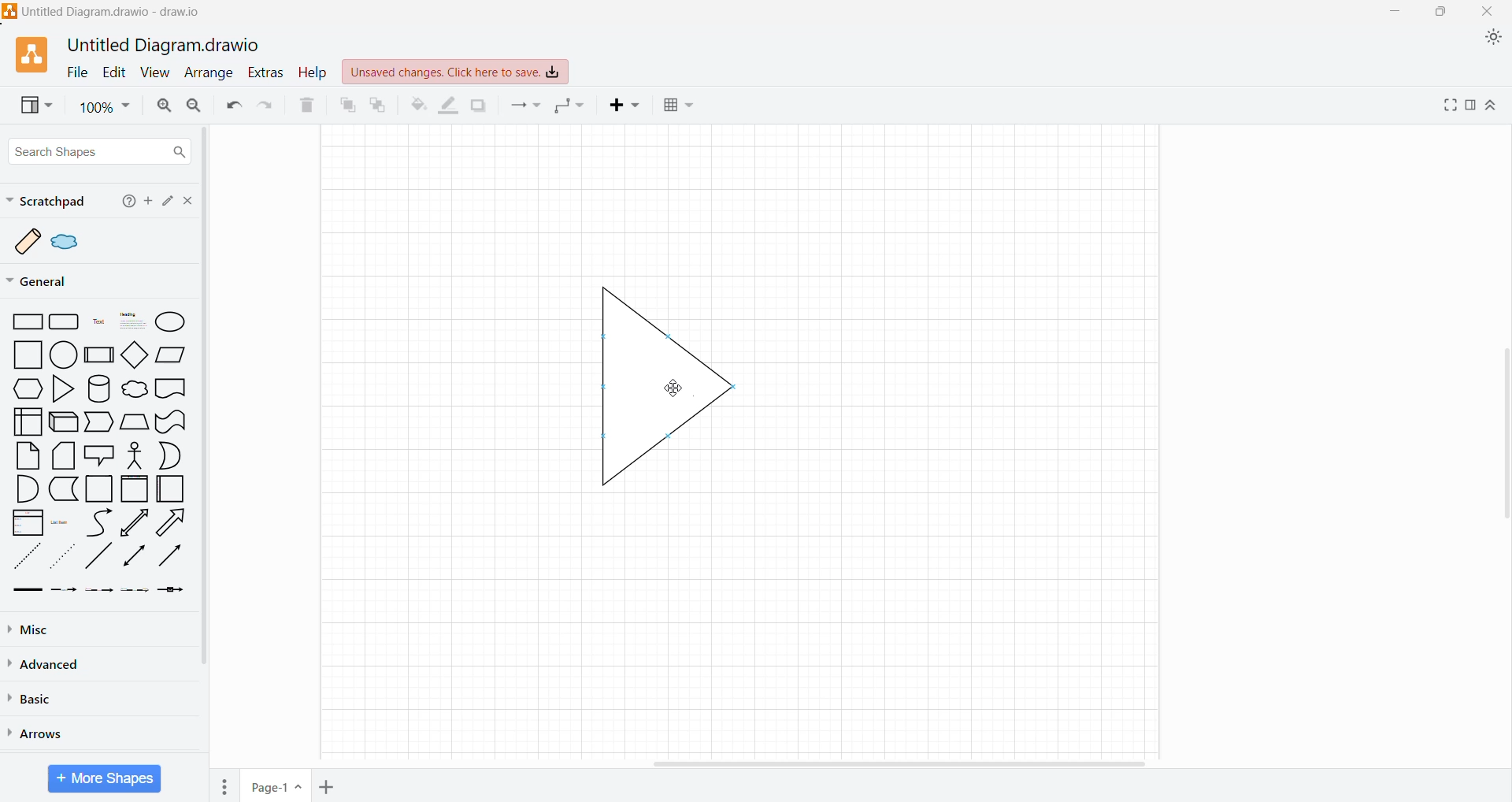 This screenshot has height=802, width=1512. I want to click on Close, so click(1488, 11).